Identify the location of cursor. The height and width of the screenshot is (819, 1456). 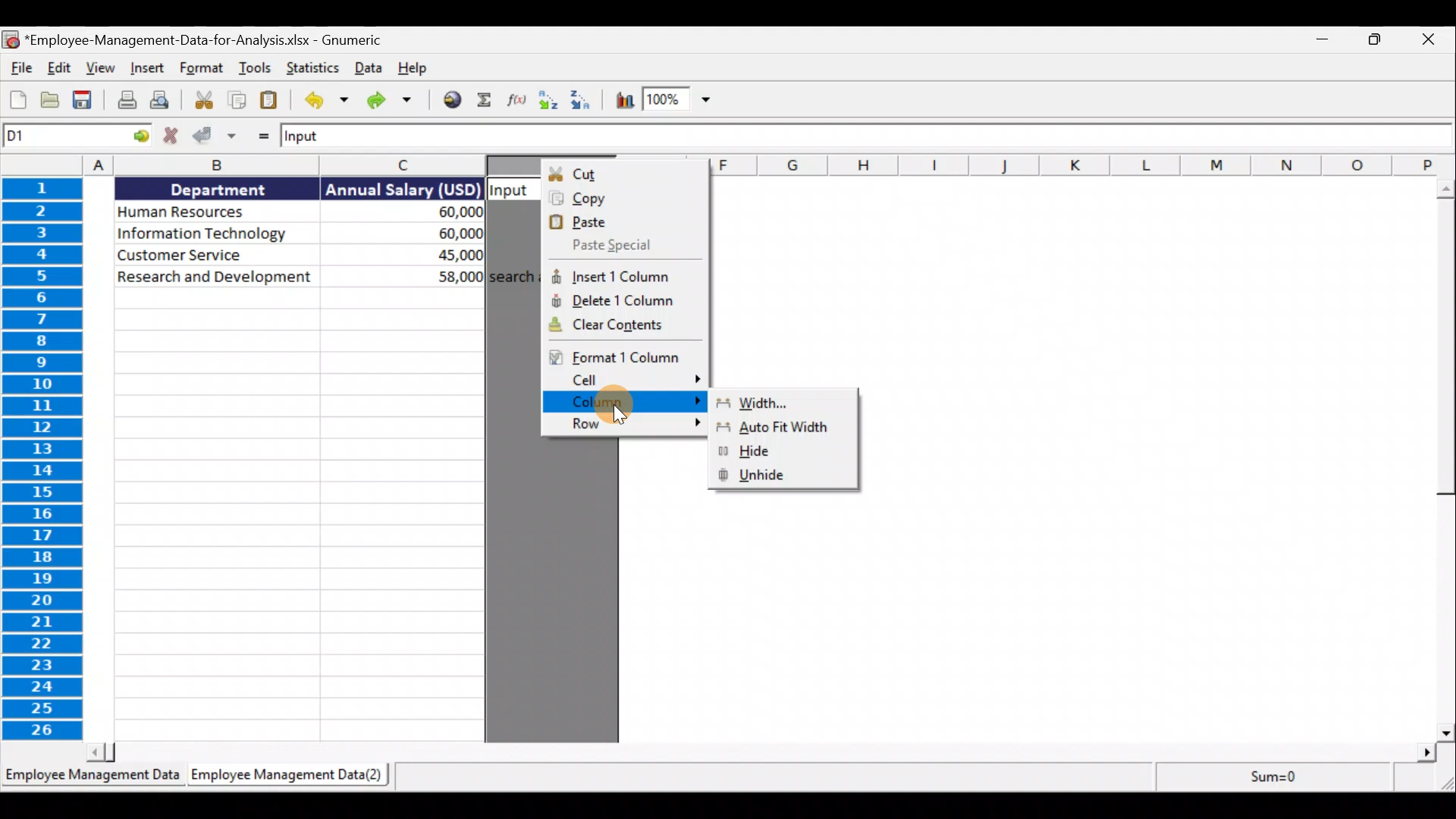
(619, 416).